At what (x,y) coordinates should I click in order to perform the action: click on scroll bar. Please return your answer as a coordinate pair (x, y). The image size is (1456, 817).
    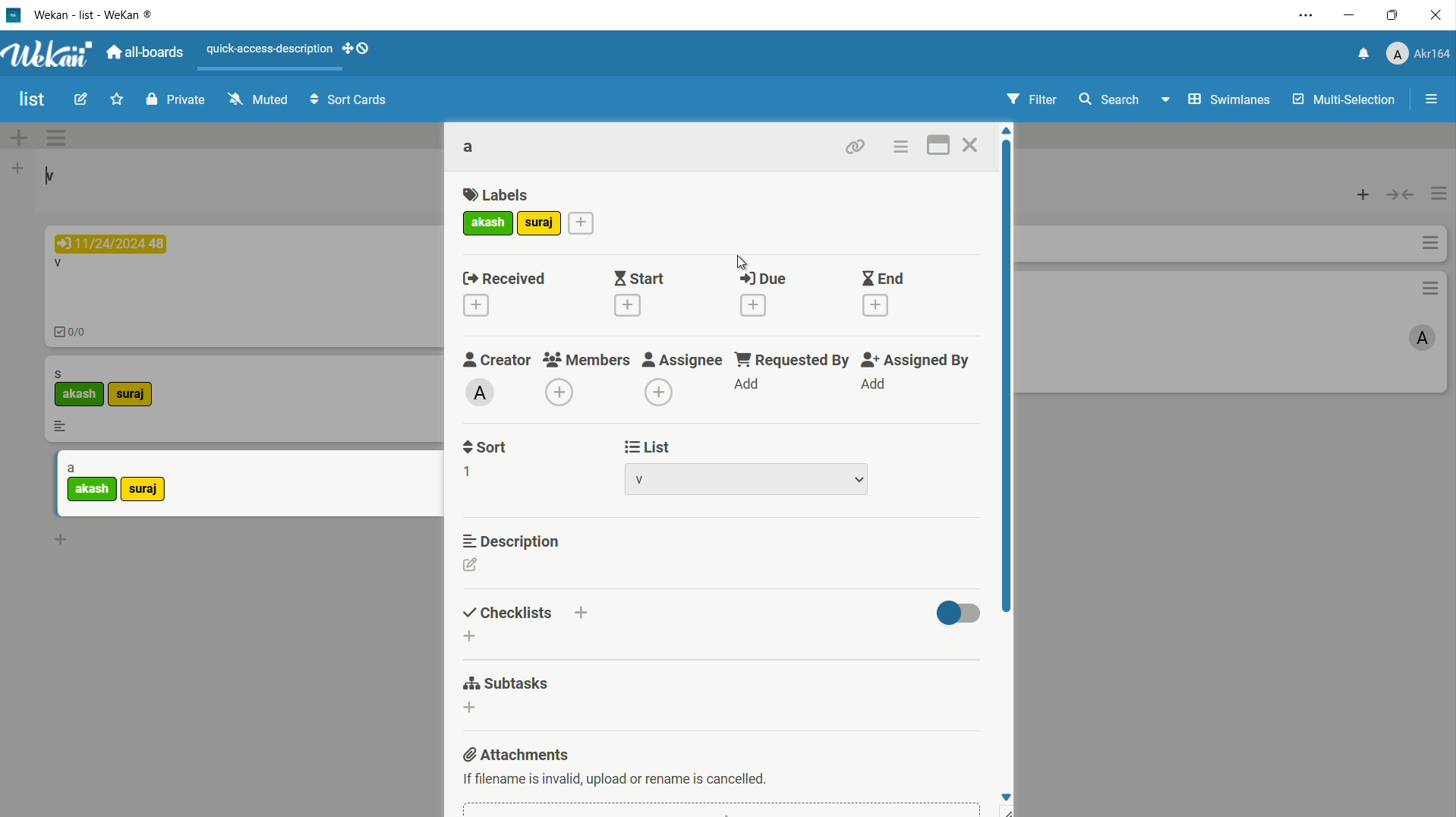
    Looking at the image, I should click on (1005, 376).